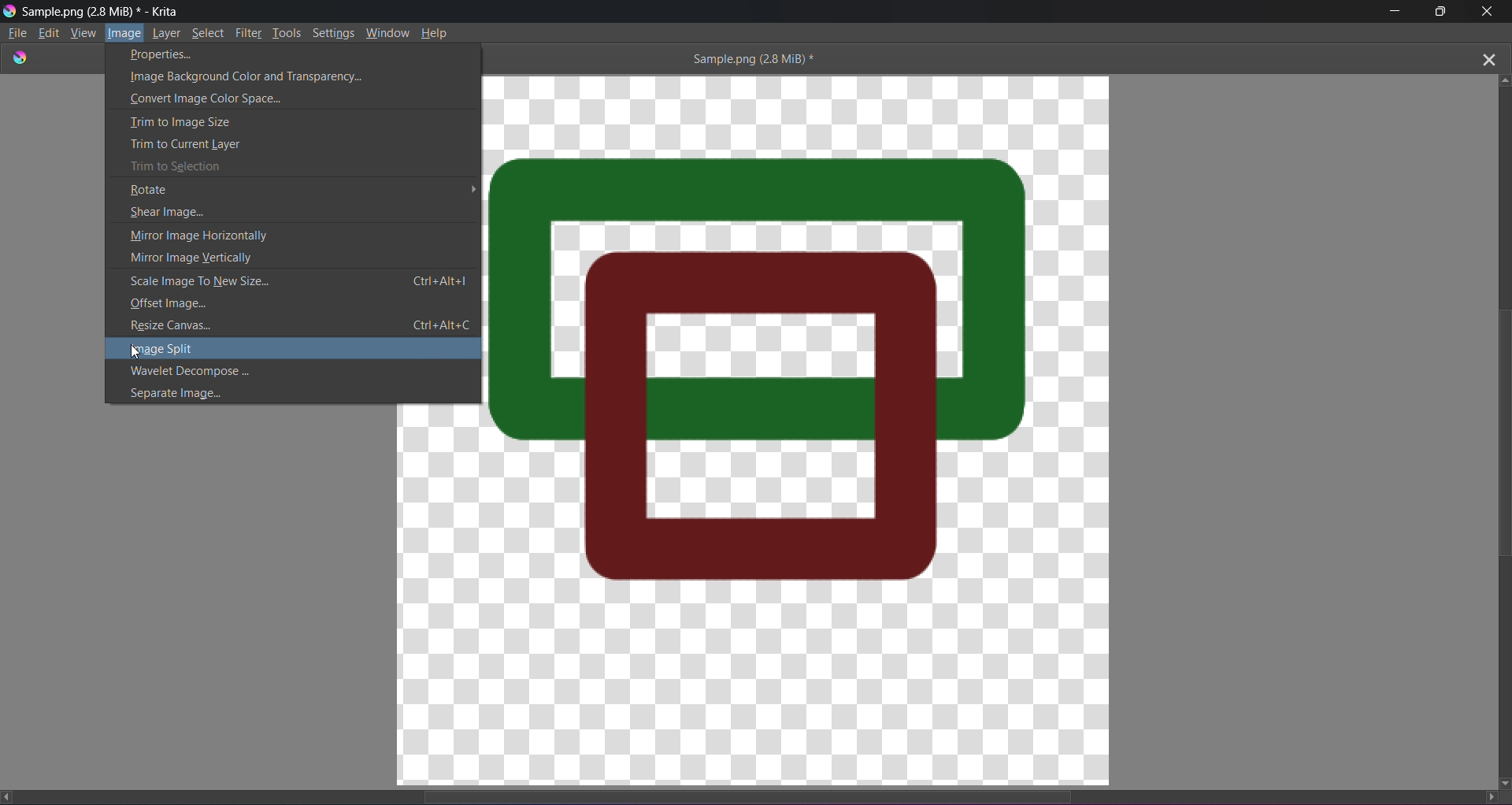 The height and width of the screenshot is (805, 1512). What do you see at coordinates (102, 11) in the screenshot?
I see `Sample.png (2.8MB)* - Krita` at bounding box center [102, 11].